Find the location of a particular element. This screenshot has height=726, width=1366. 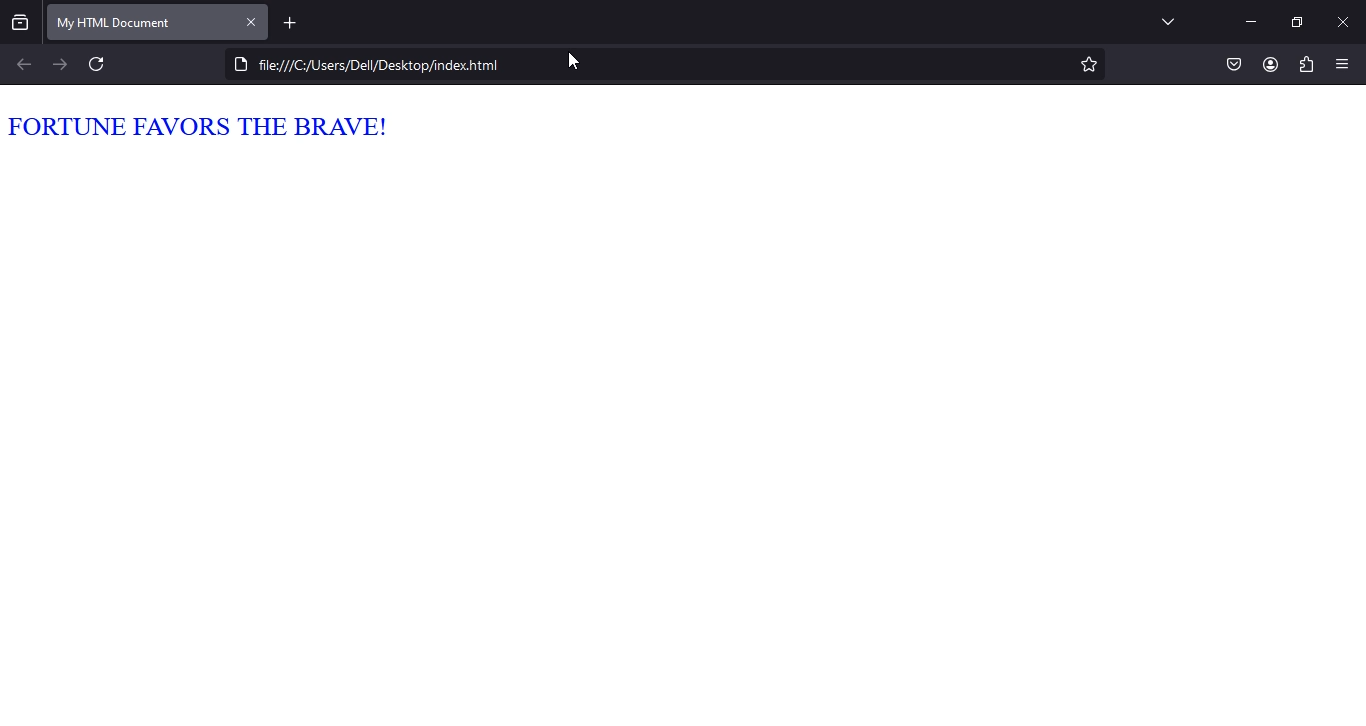

close tab is located at coordinates (251, 22).